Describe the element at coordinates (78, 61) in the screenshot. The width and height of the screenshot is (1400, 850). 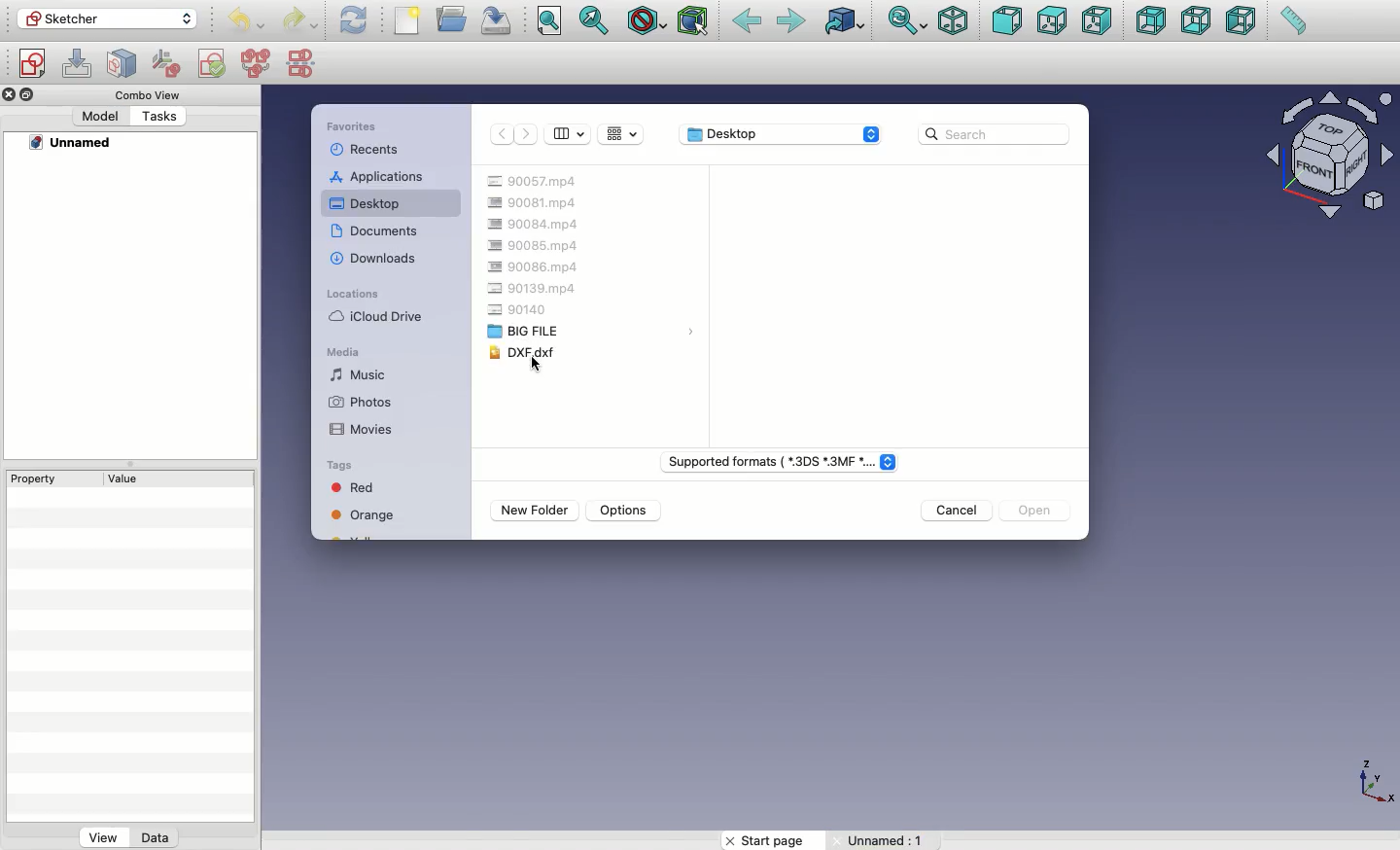
I see `Edit sketch` at that location.